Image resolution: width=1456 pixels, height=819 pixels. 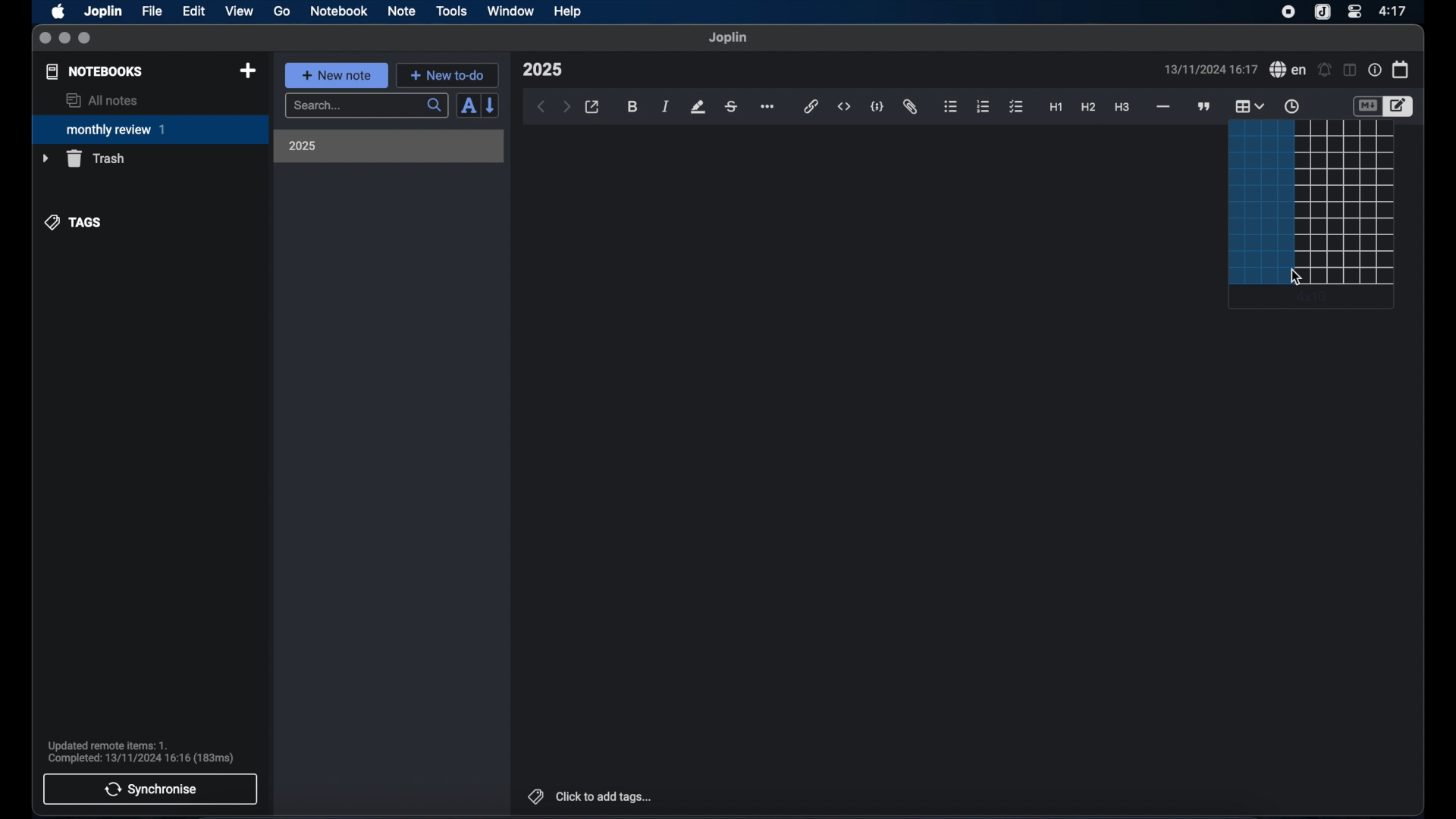 I want to click on search bar, so click(x=366, y=107).